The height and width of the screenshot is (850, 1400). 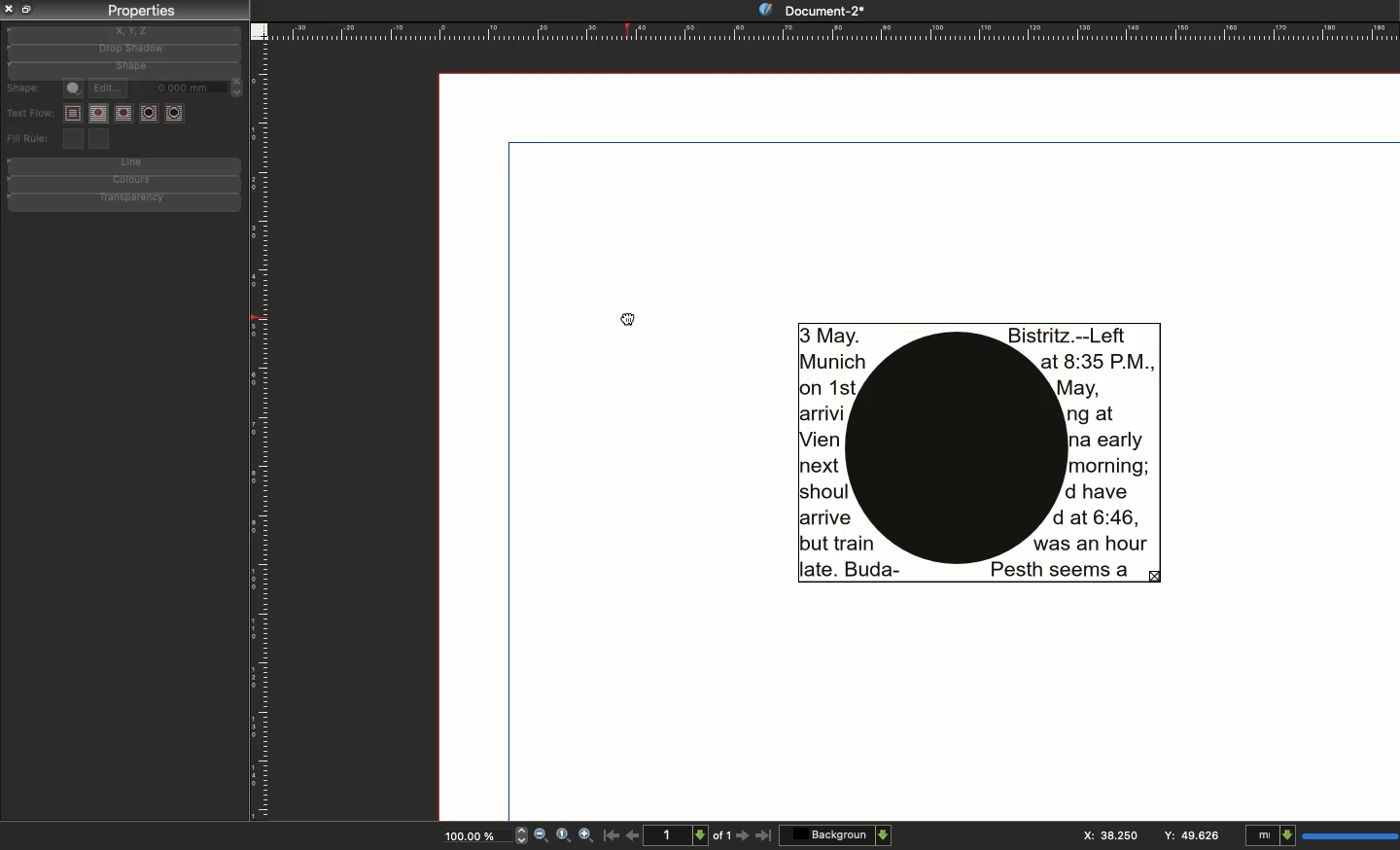 What do you see at coordinates (123, 49) in the screenshot?
I see `Drop shadow` at bounding box center [123, 49].